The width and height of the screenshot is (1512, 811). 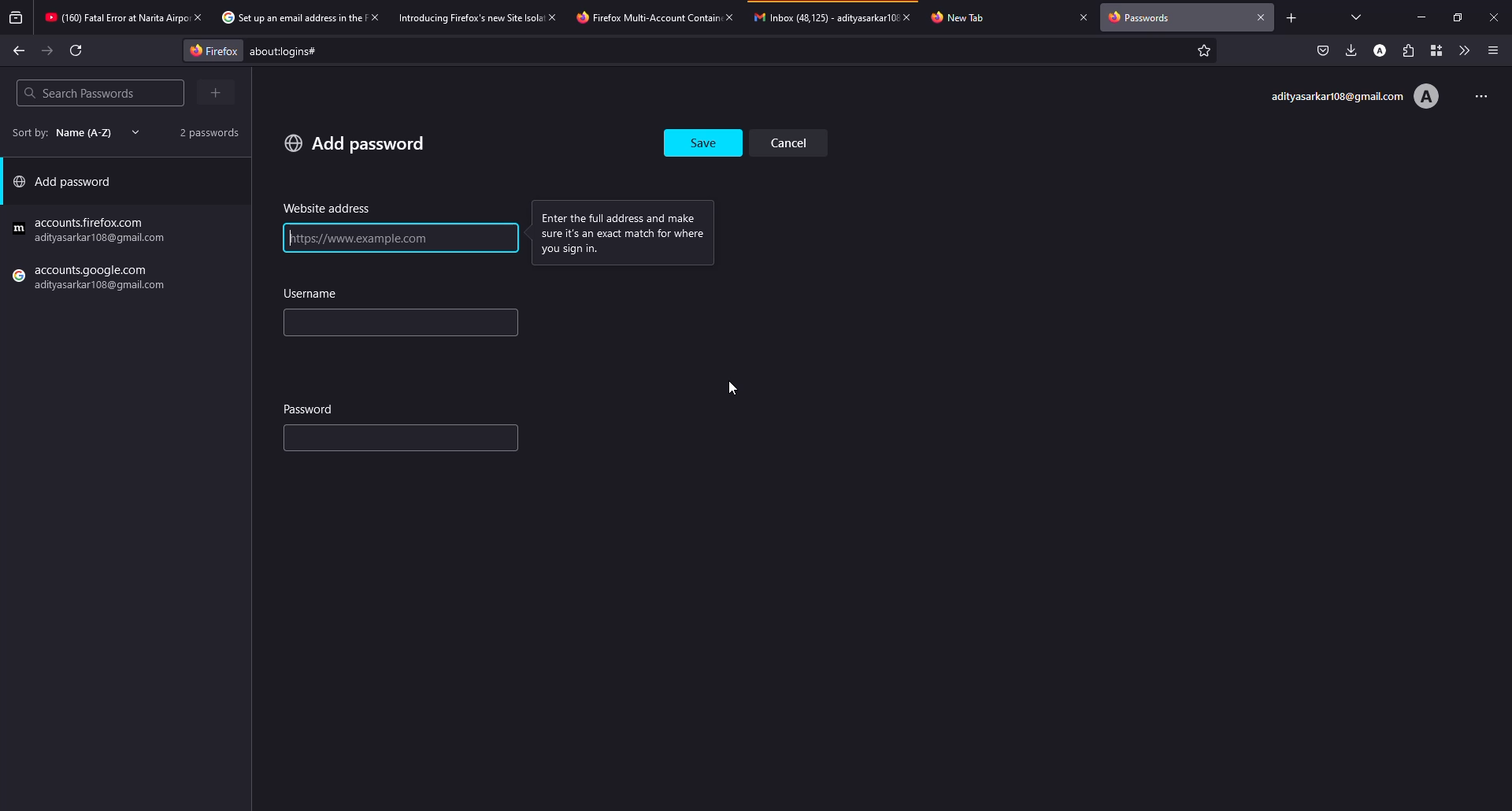 What do you see at coordinates (203, 131) in the screenshot?
I see `2 passwords` at bounding box center [203, 131].